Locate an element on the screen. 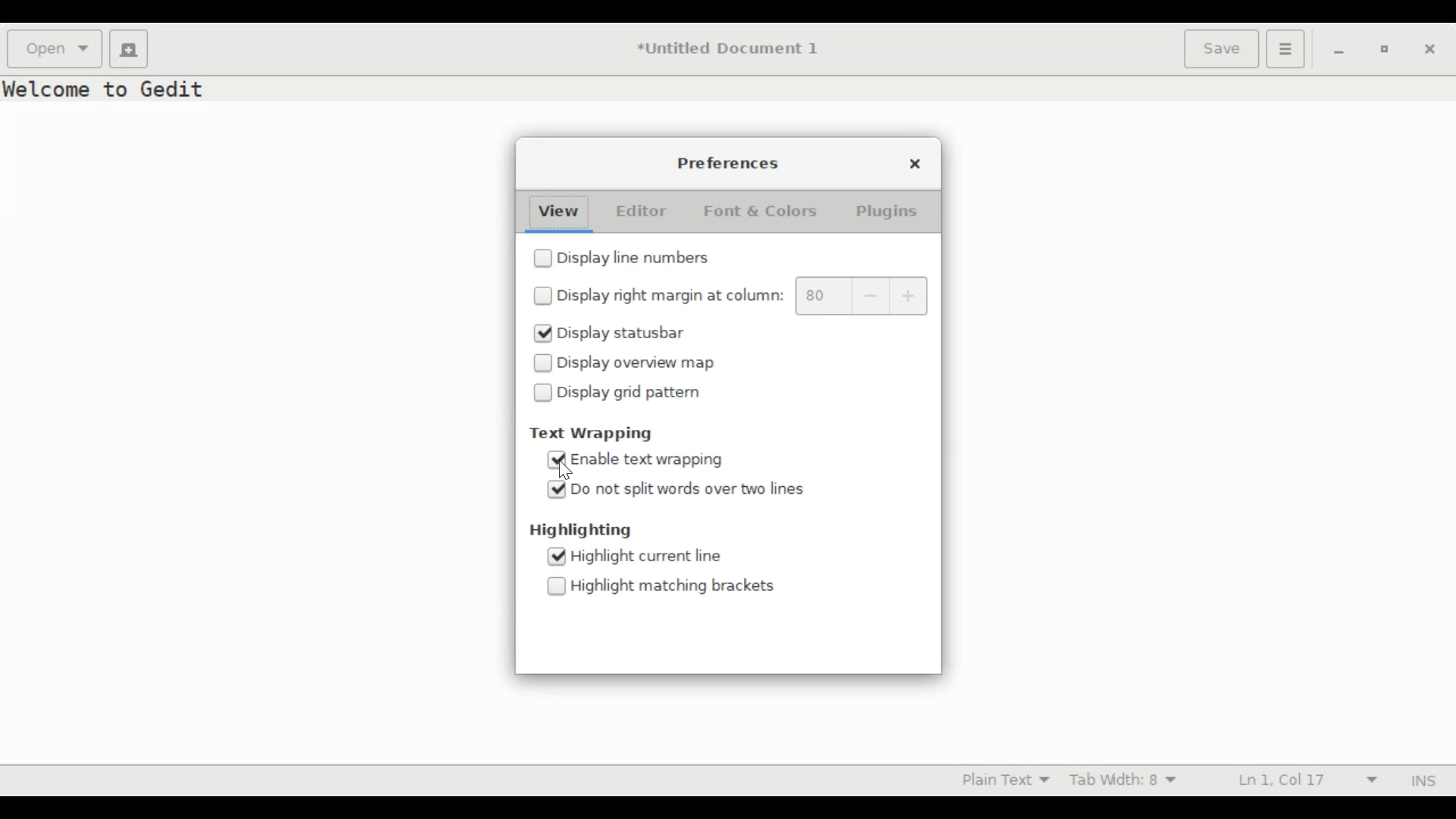  Close is located at coordinates (1431, 51).